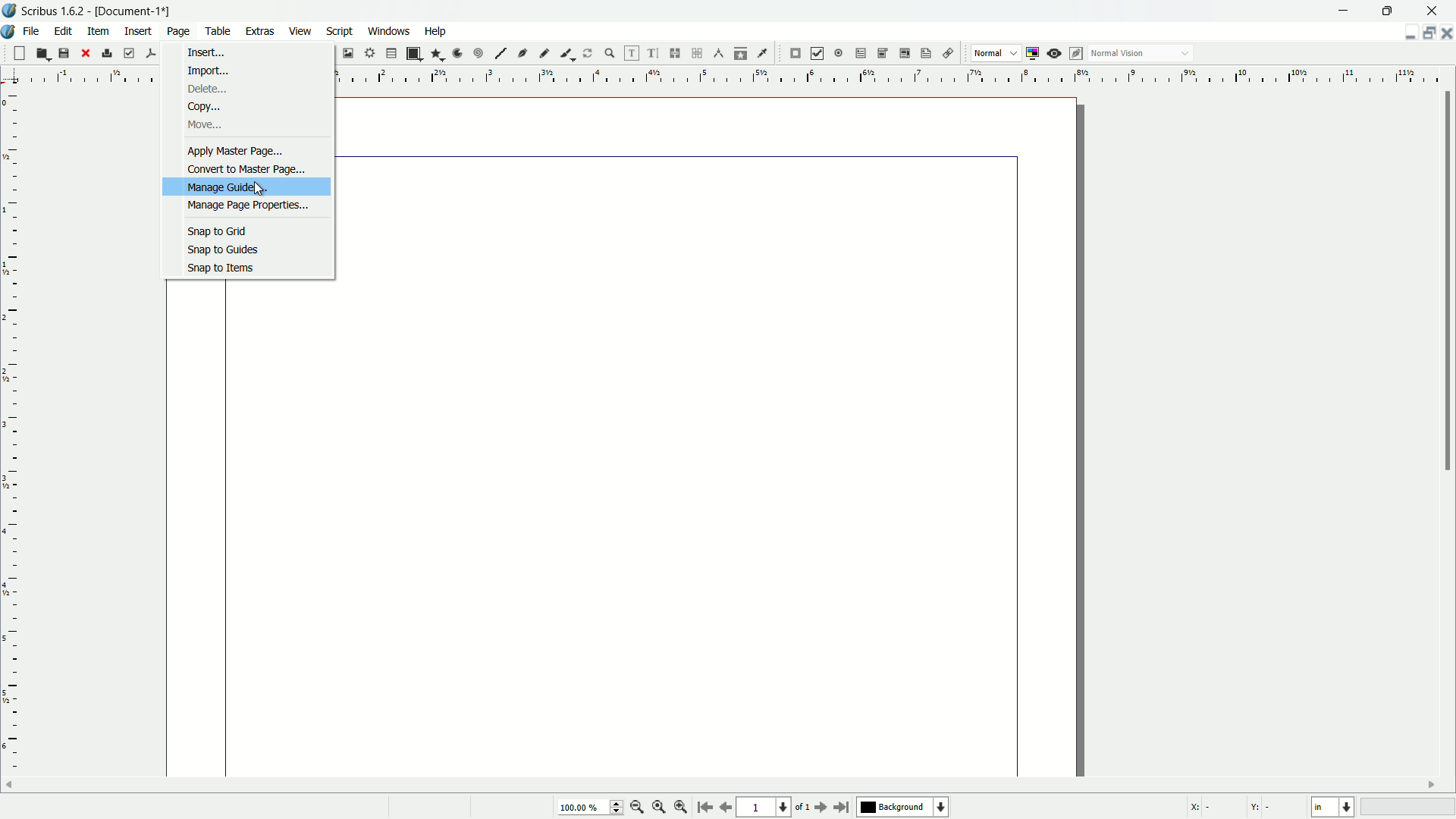 This screenshot has width=1456, height=819. What do you see at coordinates (17, 53) in the screenshot?
I see `new` at bounding box center [17, 53].